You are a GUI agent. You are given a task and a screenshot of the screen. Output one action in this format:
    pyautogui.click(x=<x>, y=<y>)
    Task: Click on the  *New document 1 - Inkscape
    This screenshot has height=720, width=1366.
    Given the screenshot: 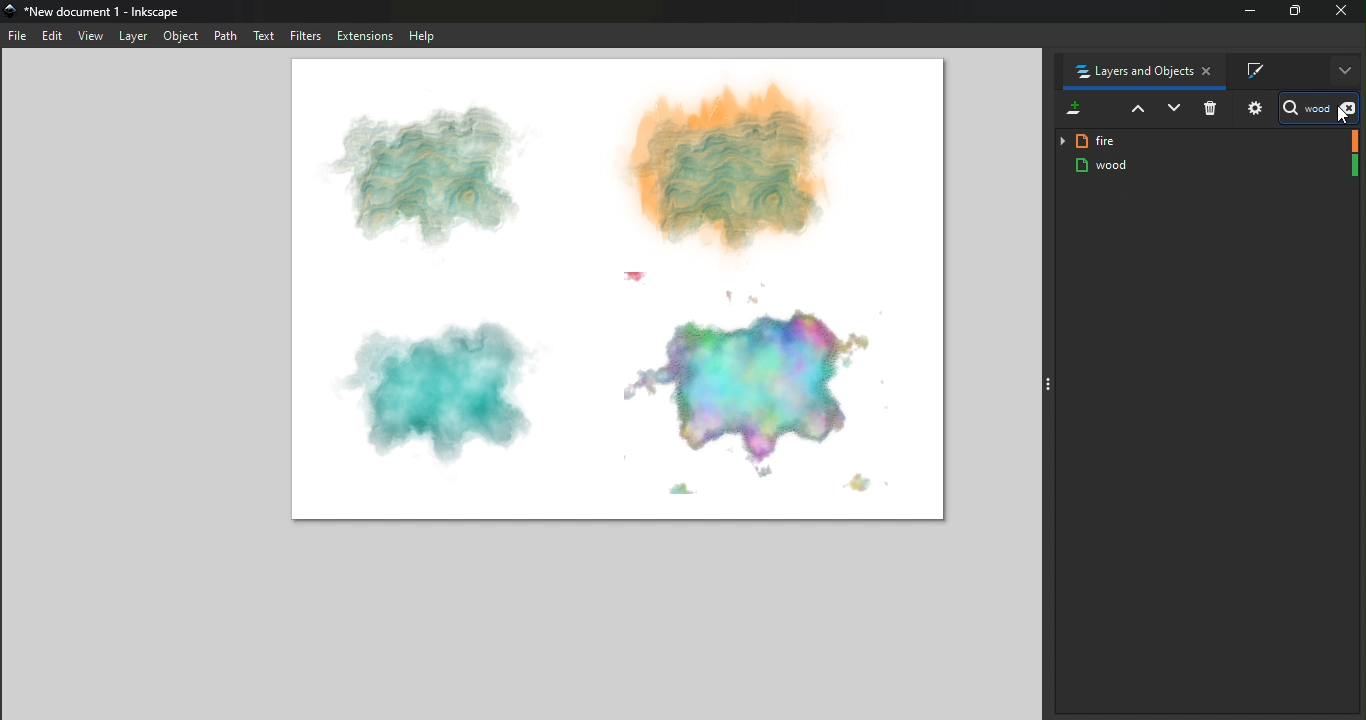 What is the action you would take?
    pyautogui.click(x=104, y=12)
    